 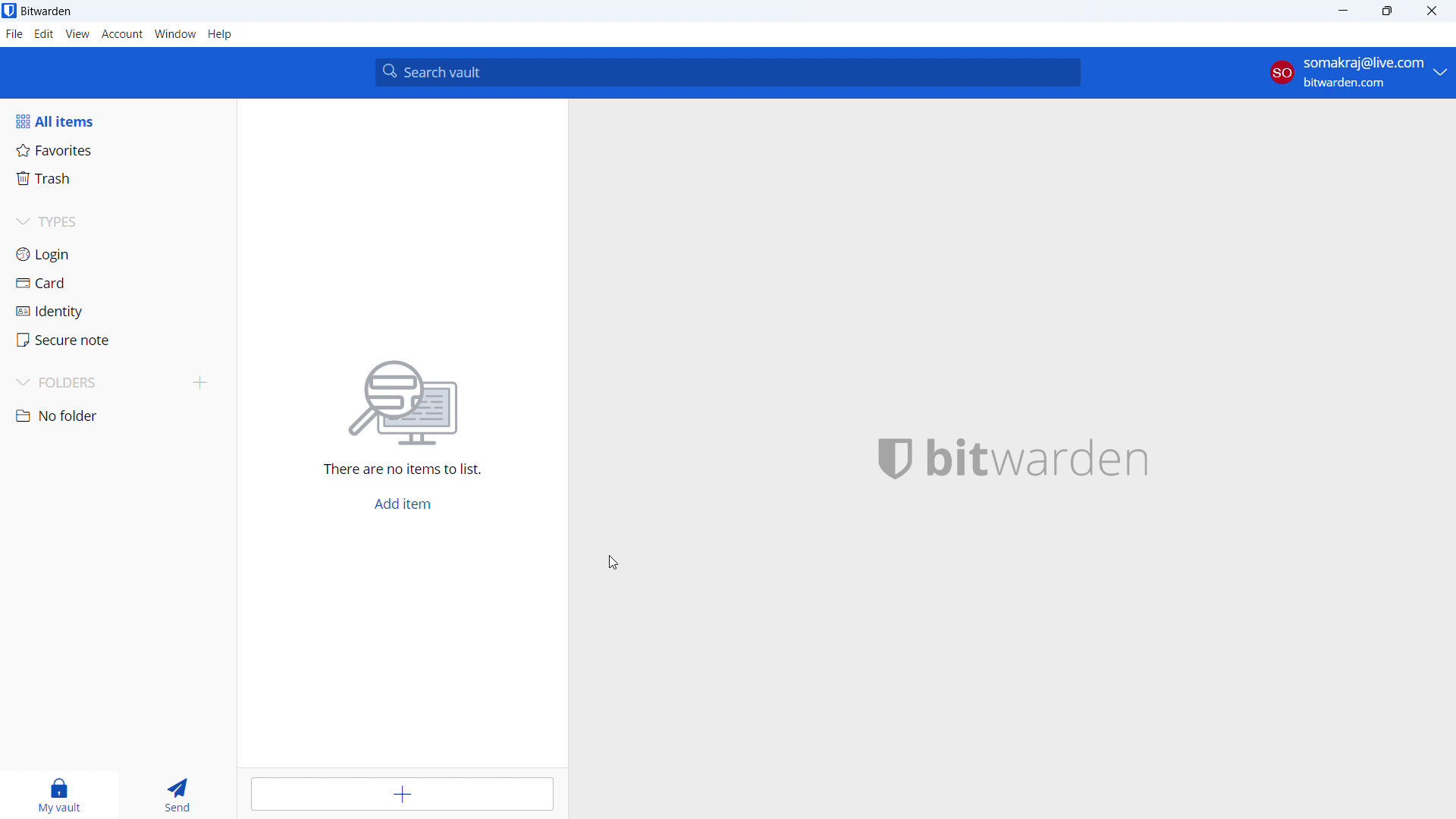 I want to click on add item, so click(x=404, y=506).